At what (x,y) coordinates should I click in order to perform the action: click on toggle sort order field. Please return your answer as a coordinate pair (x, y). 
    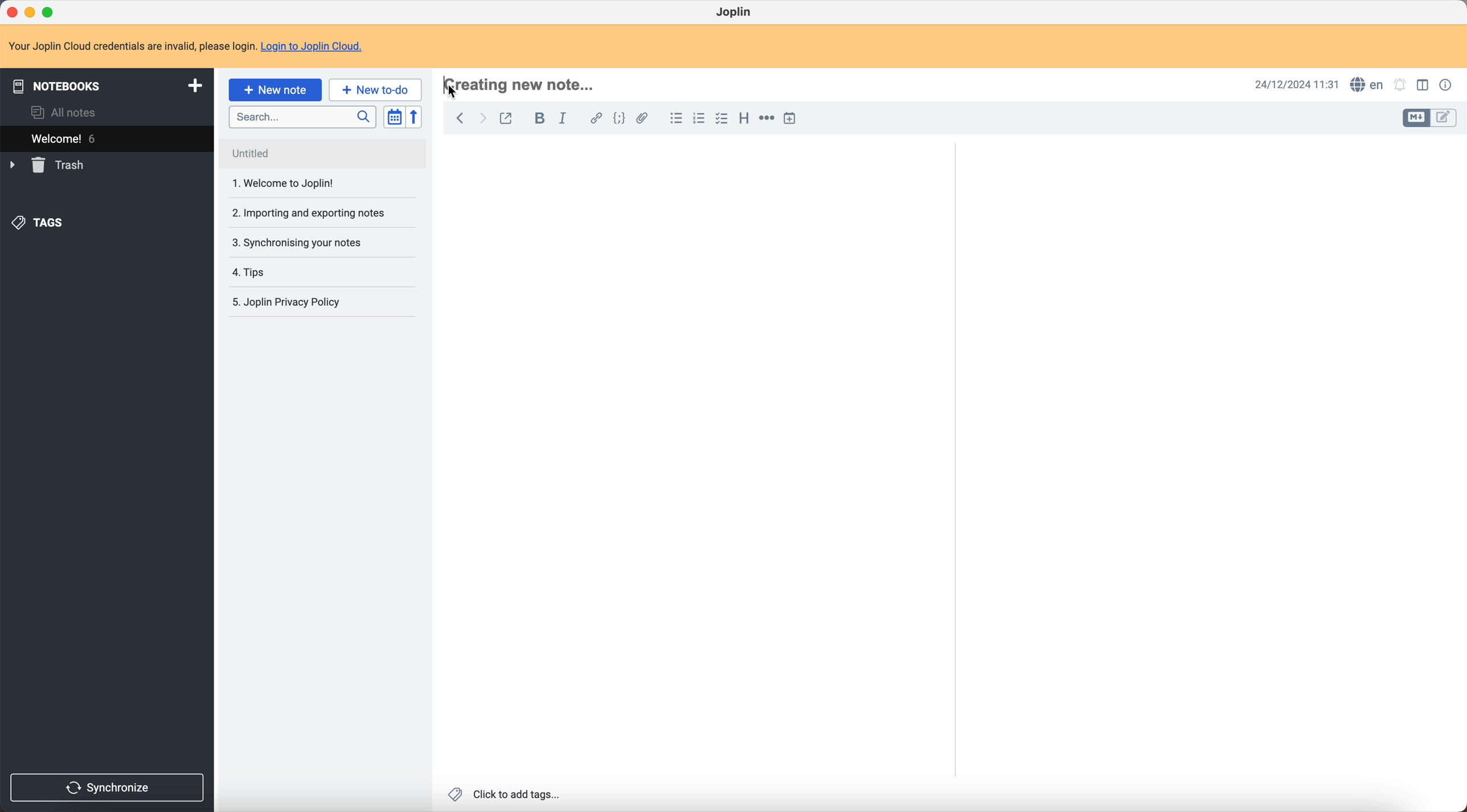
    Looking at the image, I should click on (392, 117).